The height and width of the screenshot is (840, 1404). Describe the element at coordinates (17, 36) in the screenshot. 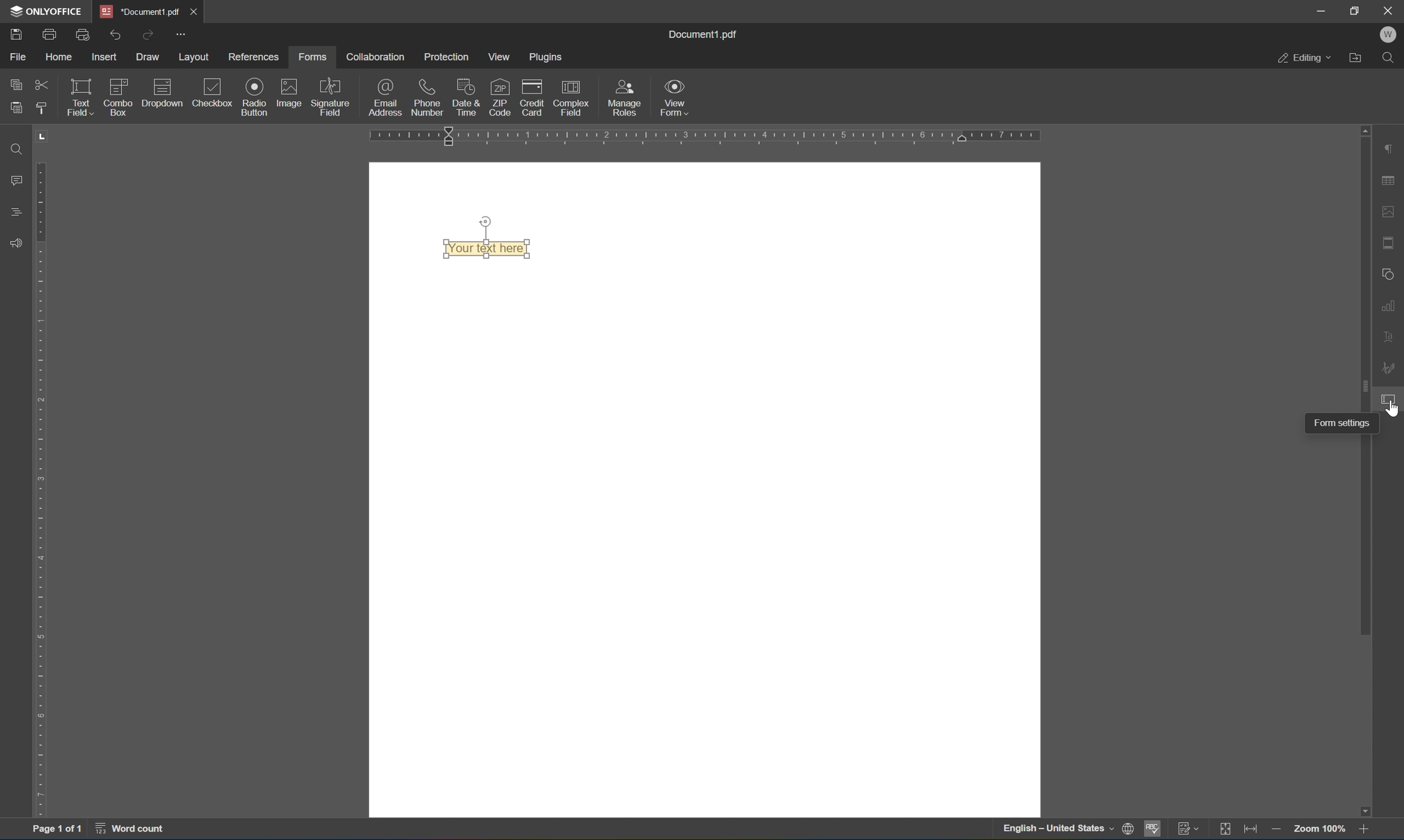

I see `save` at that location.